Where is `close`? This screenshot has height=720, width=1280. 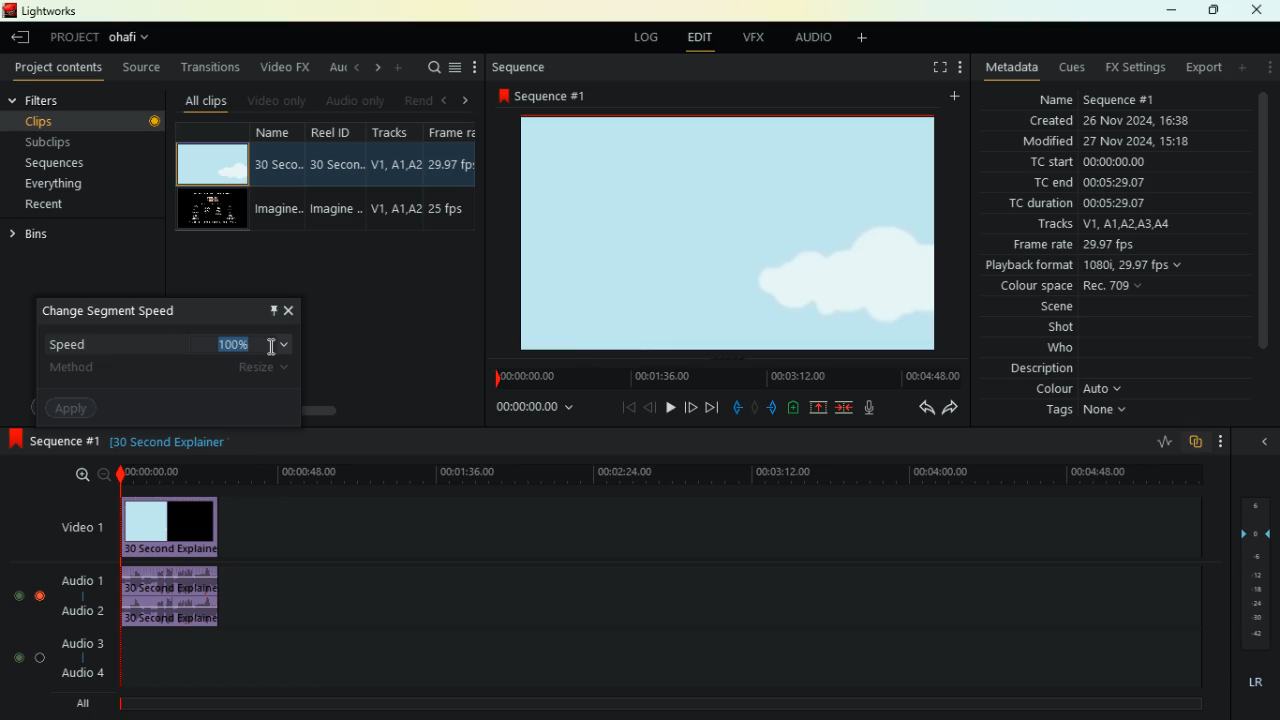
close is located at coordinates (292, 311).